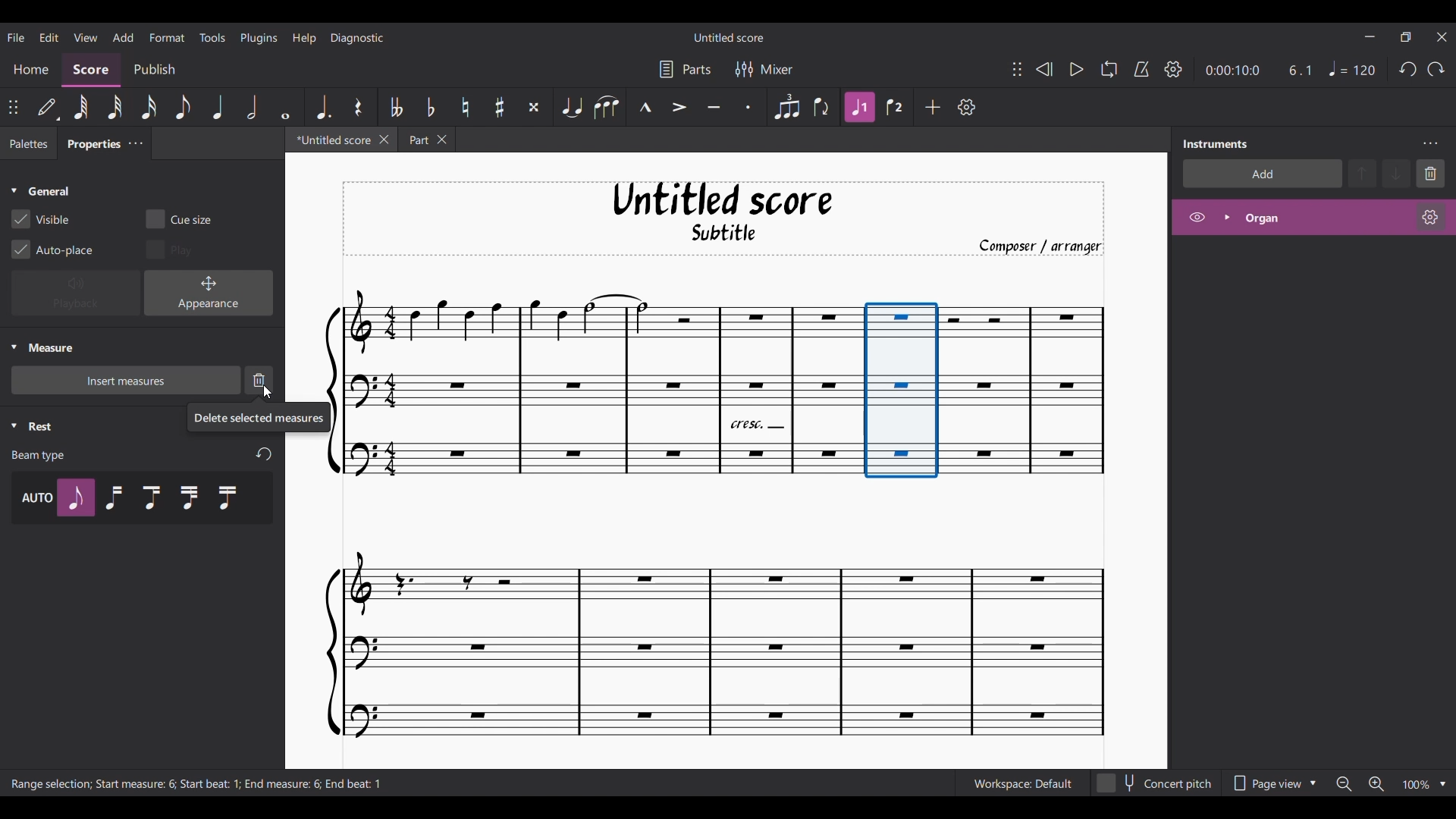 The image size is (1456, 819). Describe the element at coordinates (896, 107) in the screenshot. I see `Voice 2` at that location.